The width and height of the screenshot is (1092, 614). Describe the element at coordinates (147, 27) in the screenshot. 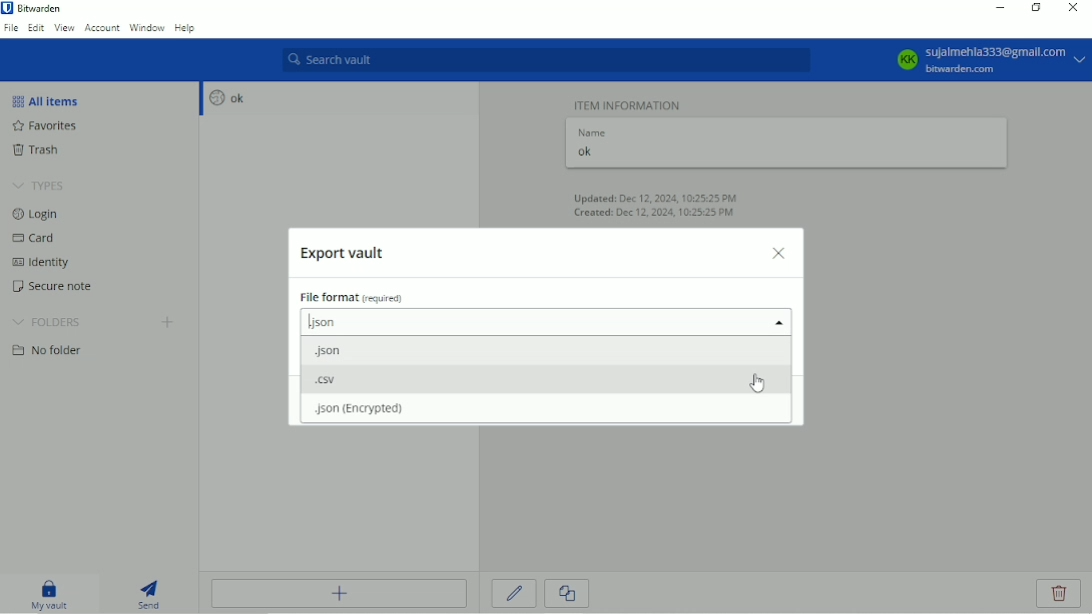

I see `Window` at that location.